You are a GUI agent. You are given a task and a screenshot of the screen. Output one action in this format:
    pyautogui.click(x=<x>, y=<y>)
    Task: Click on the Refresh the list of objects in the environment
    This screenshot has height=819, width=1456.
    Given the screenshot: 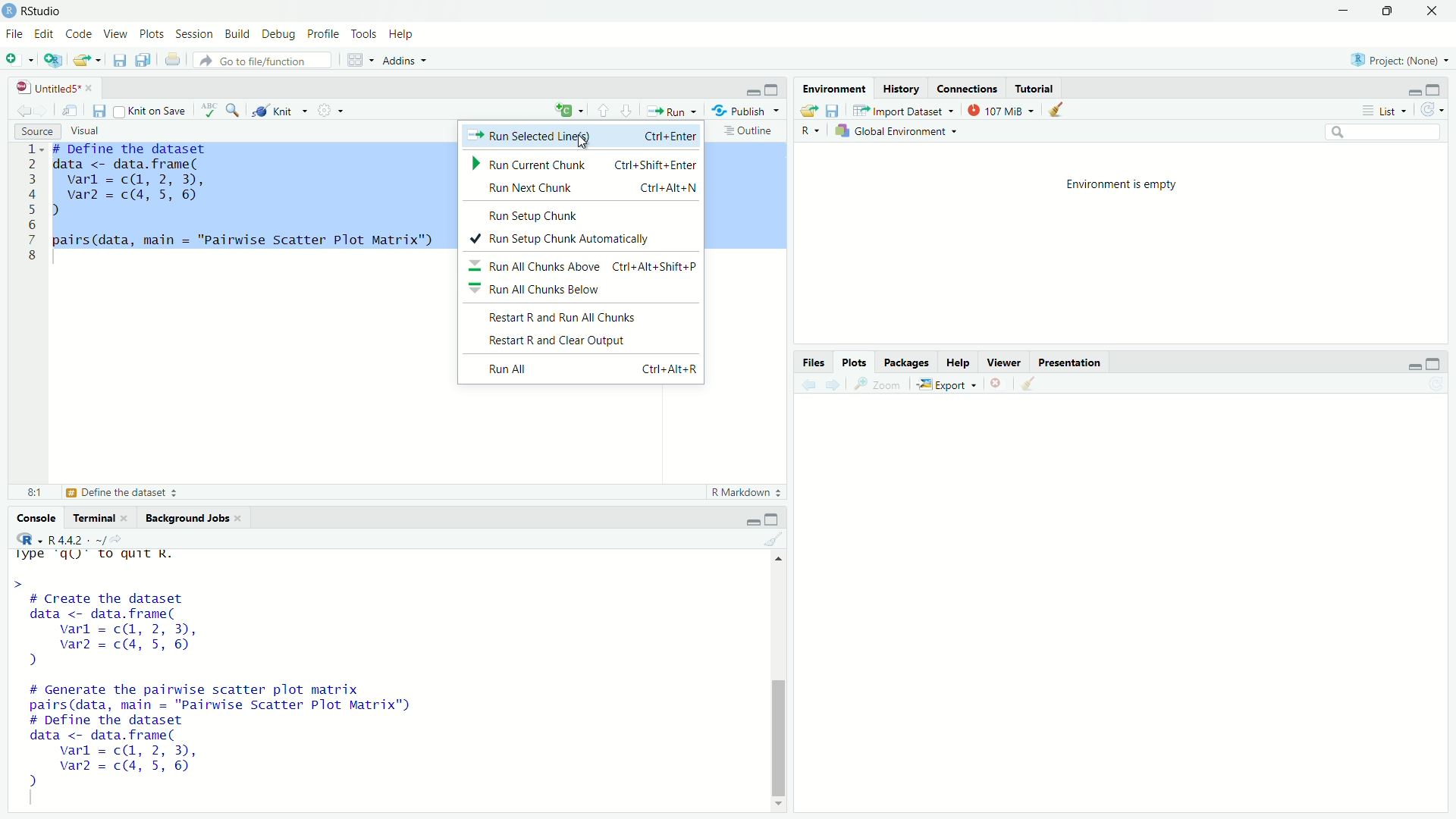 What is the action you would take?
    pyautogui.click(x=1432, y=110)
    